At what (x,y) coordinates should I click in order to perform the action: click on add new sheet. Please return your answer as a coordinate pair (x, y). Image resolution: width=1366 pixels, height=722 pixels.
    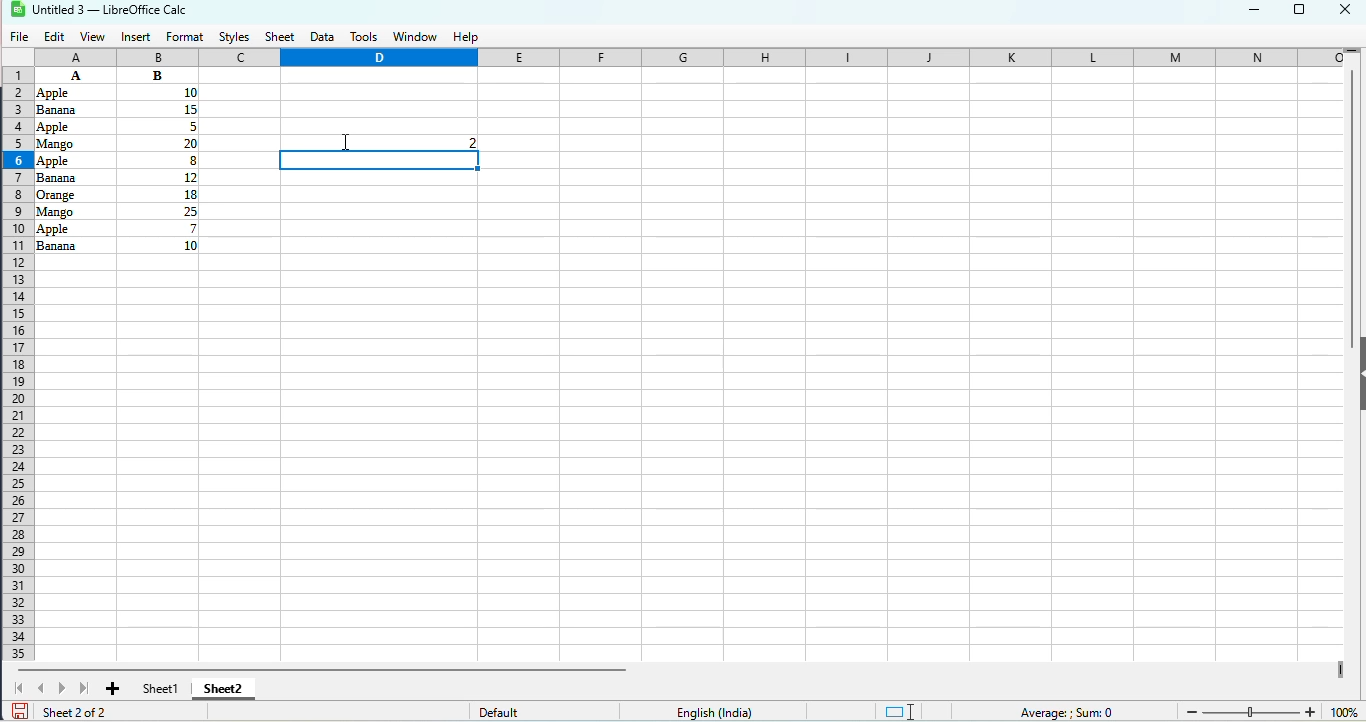
    Looking at the image, I should click on (112, 689).